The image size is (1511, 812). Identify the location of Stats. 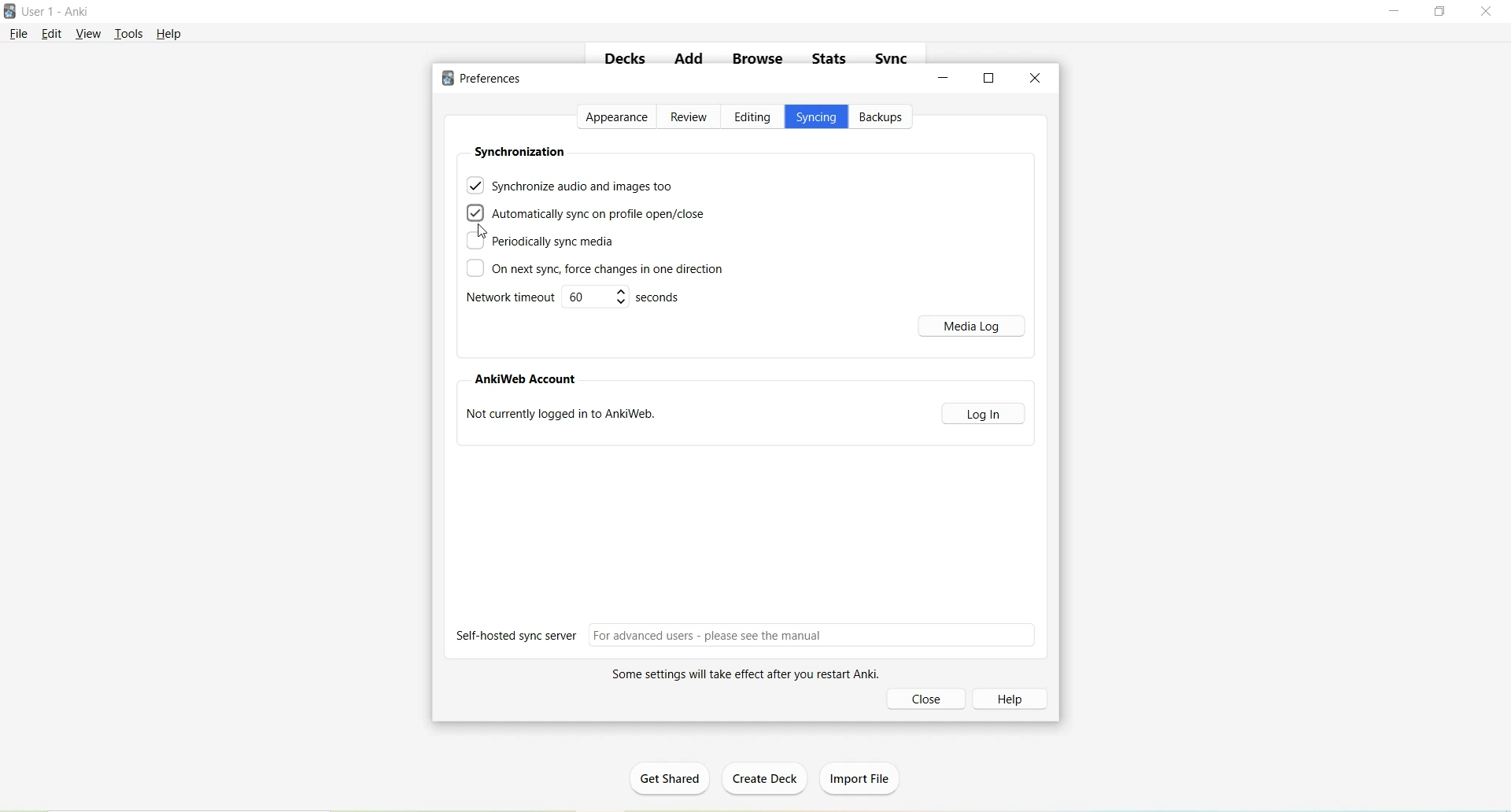
(834, 62).